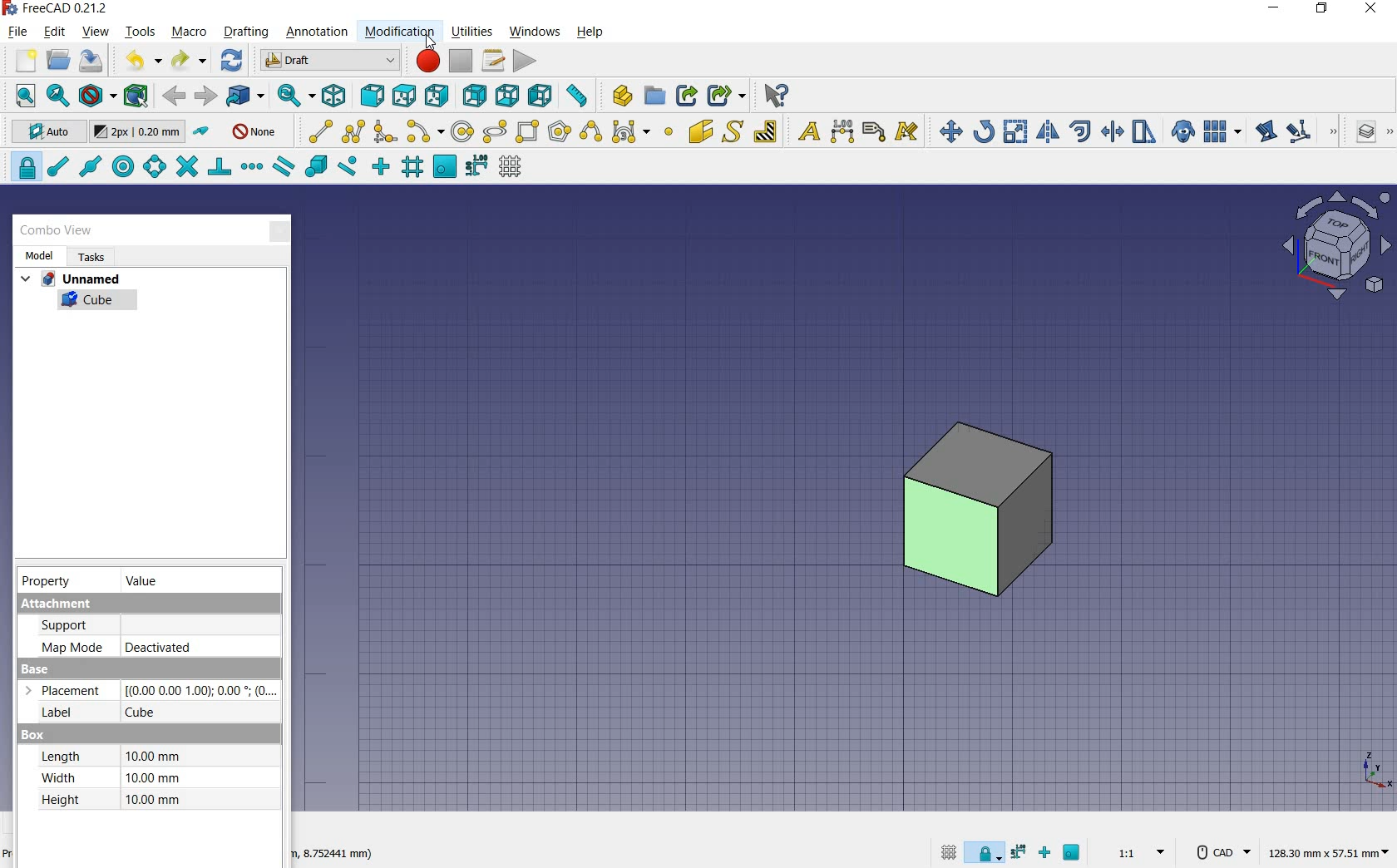  I want to click on cursor, so click(430, 46).